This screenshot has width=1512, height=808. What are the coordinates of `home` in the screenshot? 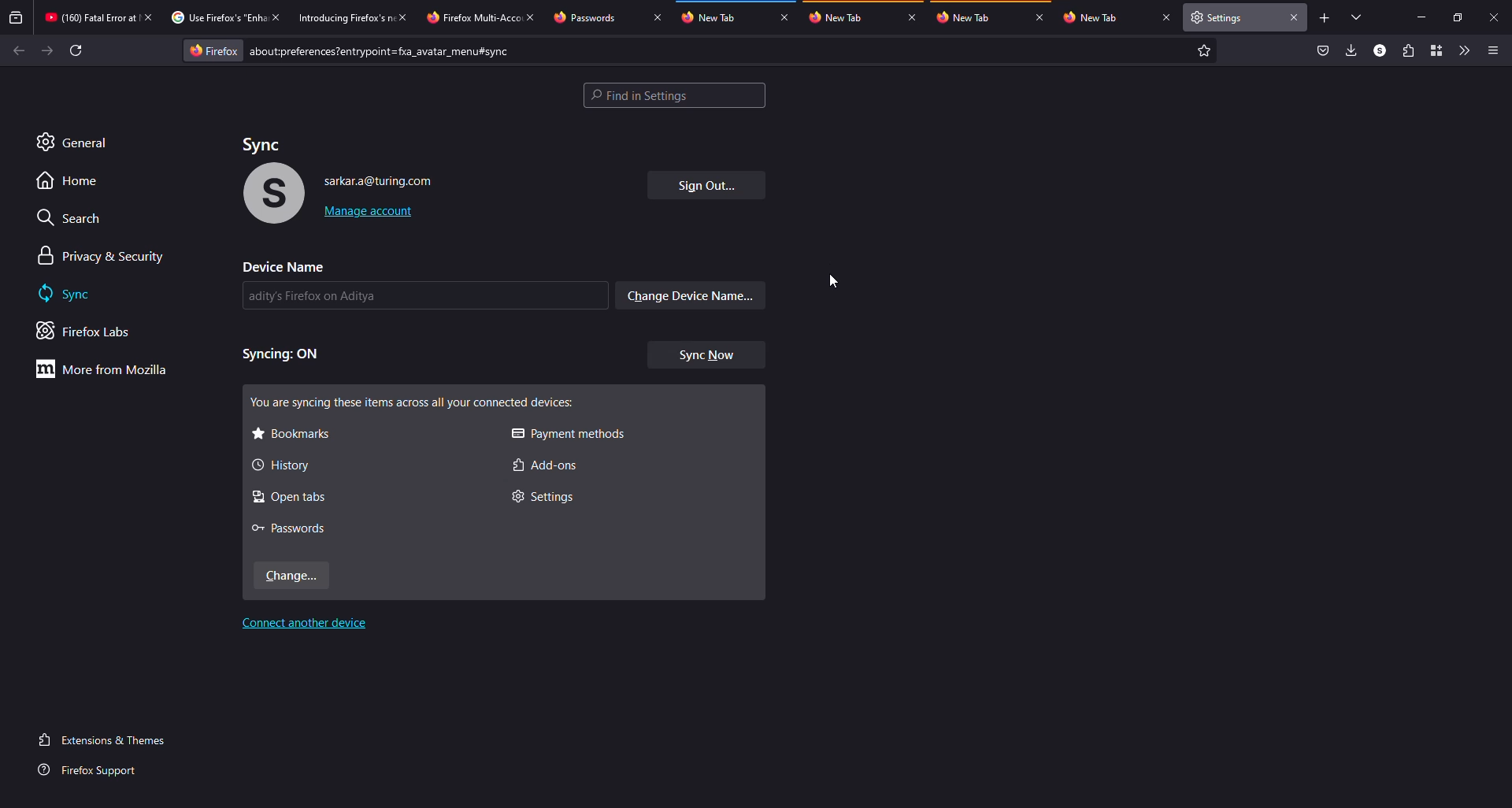 It's located at (70, 181).